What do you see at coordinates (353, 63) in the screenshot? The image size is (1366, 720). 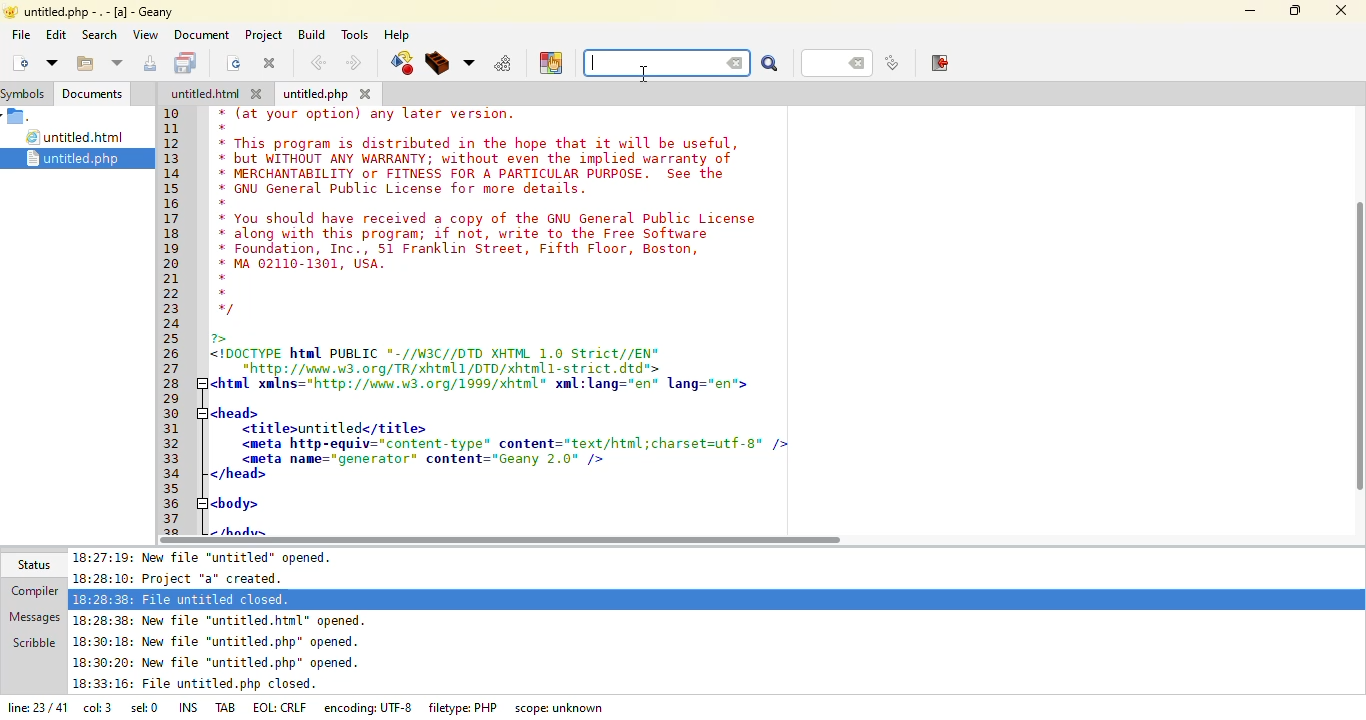 I see `next` at bounding box center [353, 63].